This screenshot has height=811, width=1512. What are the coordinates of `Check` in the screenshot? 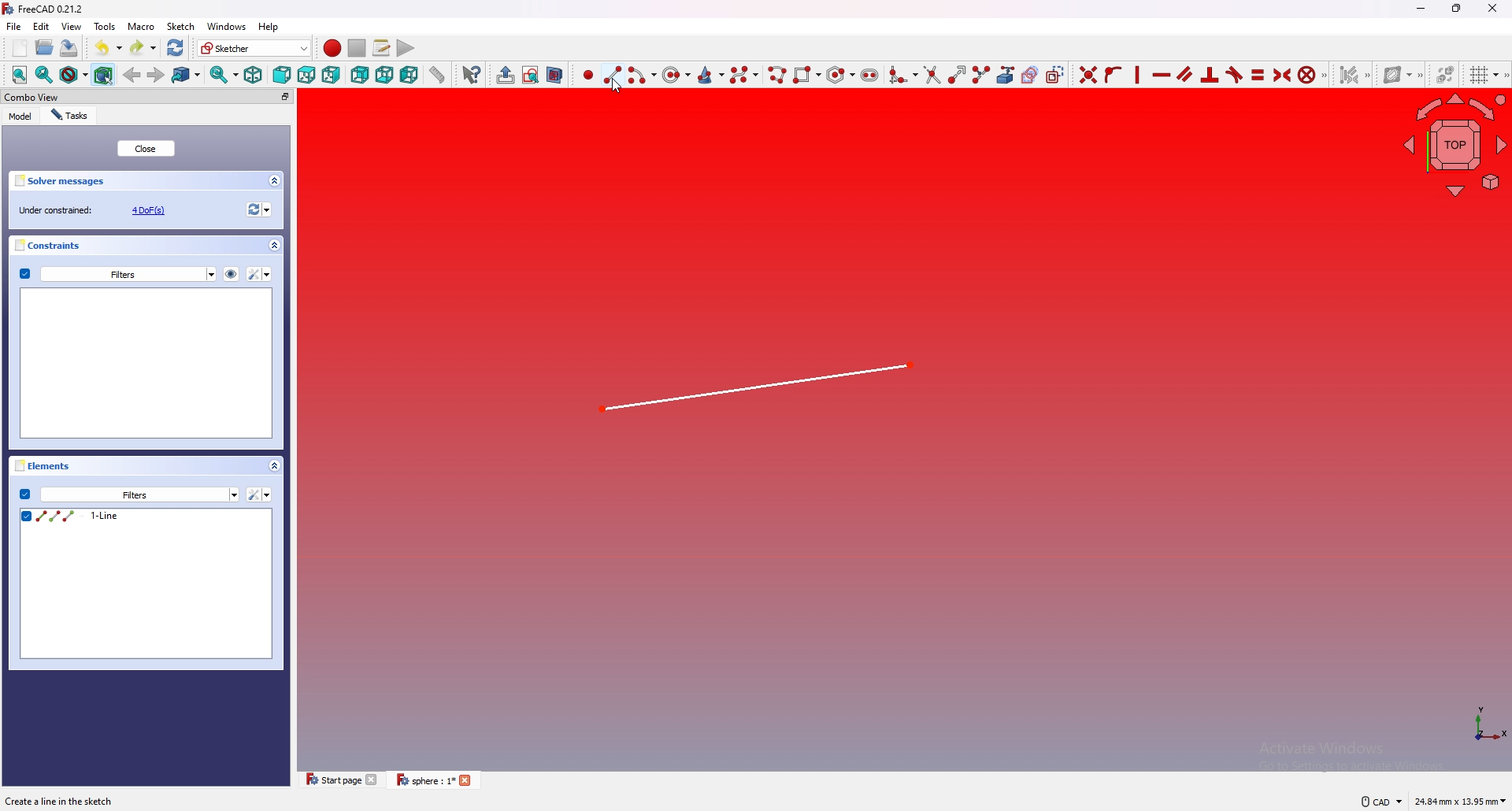 It's located at (24, 494).